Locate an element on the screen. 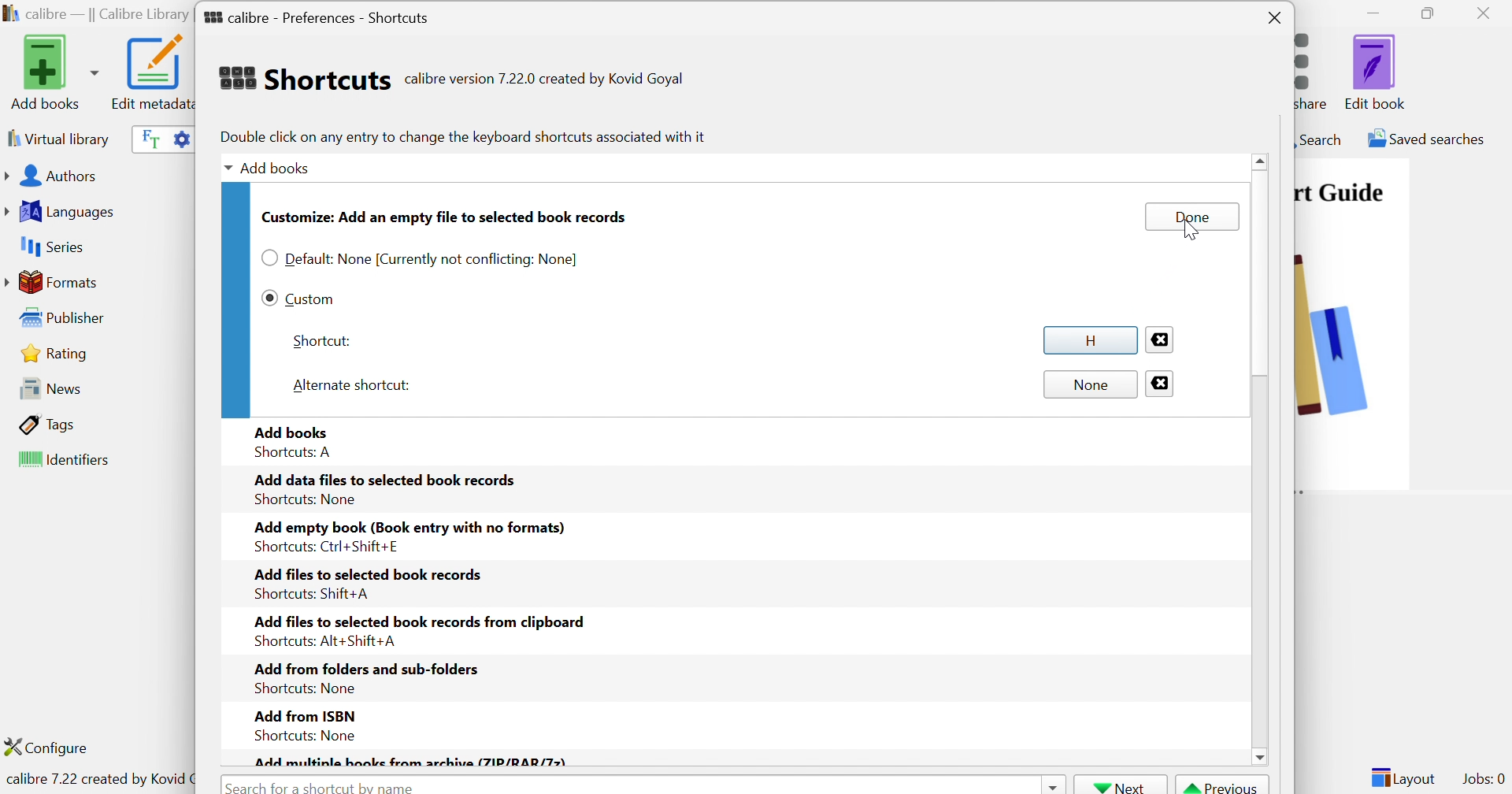 The height and width of the screenshot is (794, 1512). Shortcuts: A is located at coordinates (295, 453).